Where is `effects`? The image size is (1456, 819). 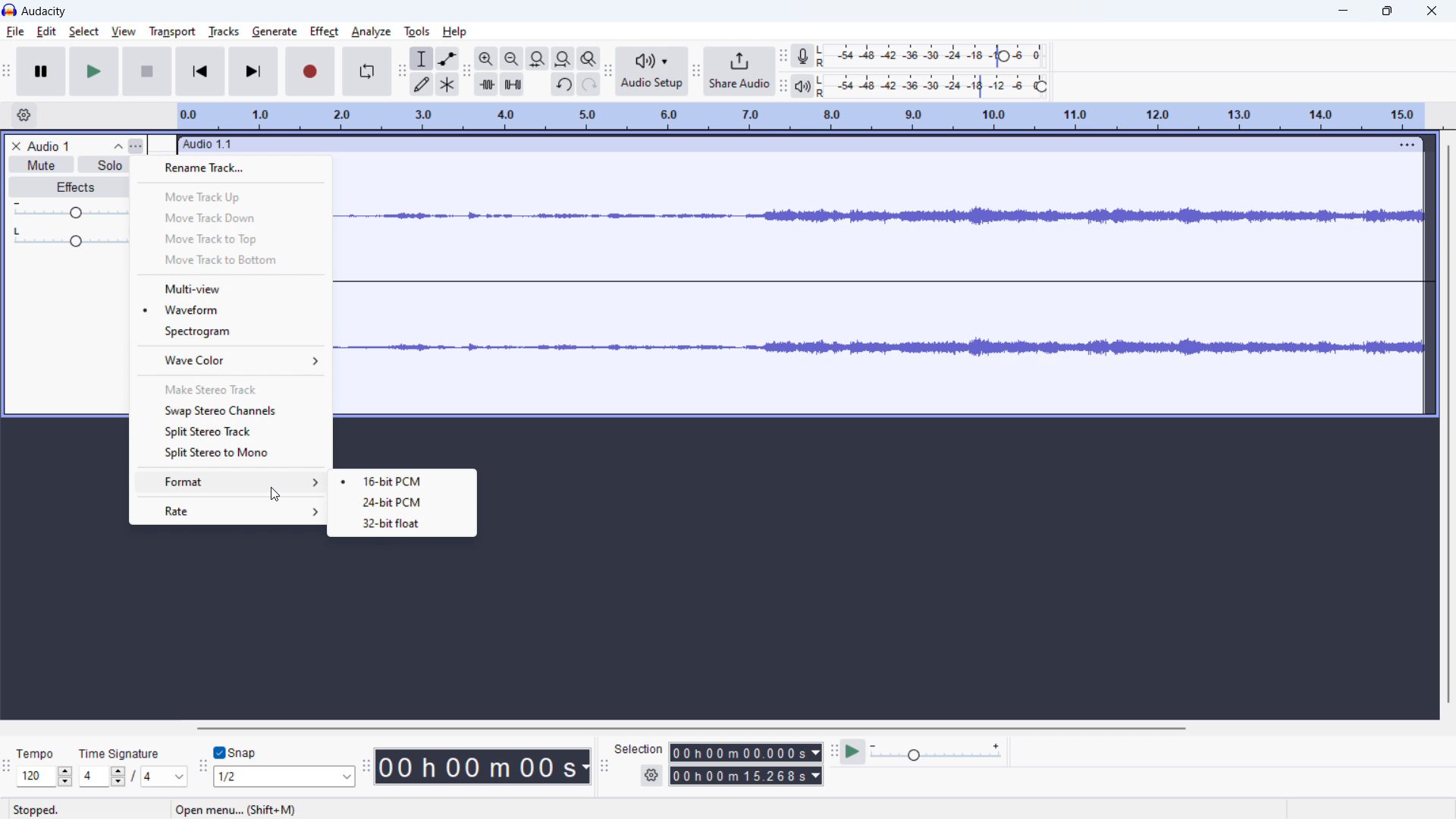
effects is located at coordinates (71, 187).